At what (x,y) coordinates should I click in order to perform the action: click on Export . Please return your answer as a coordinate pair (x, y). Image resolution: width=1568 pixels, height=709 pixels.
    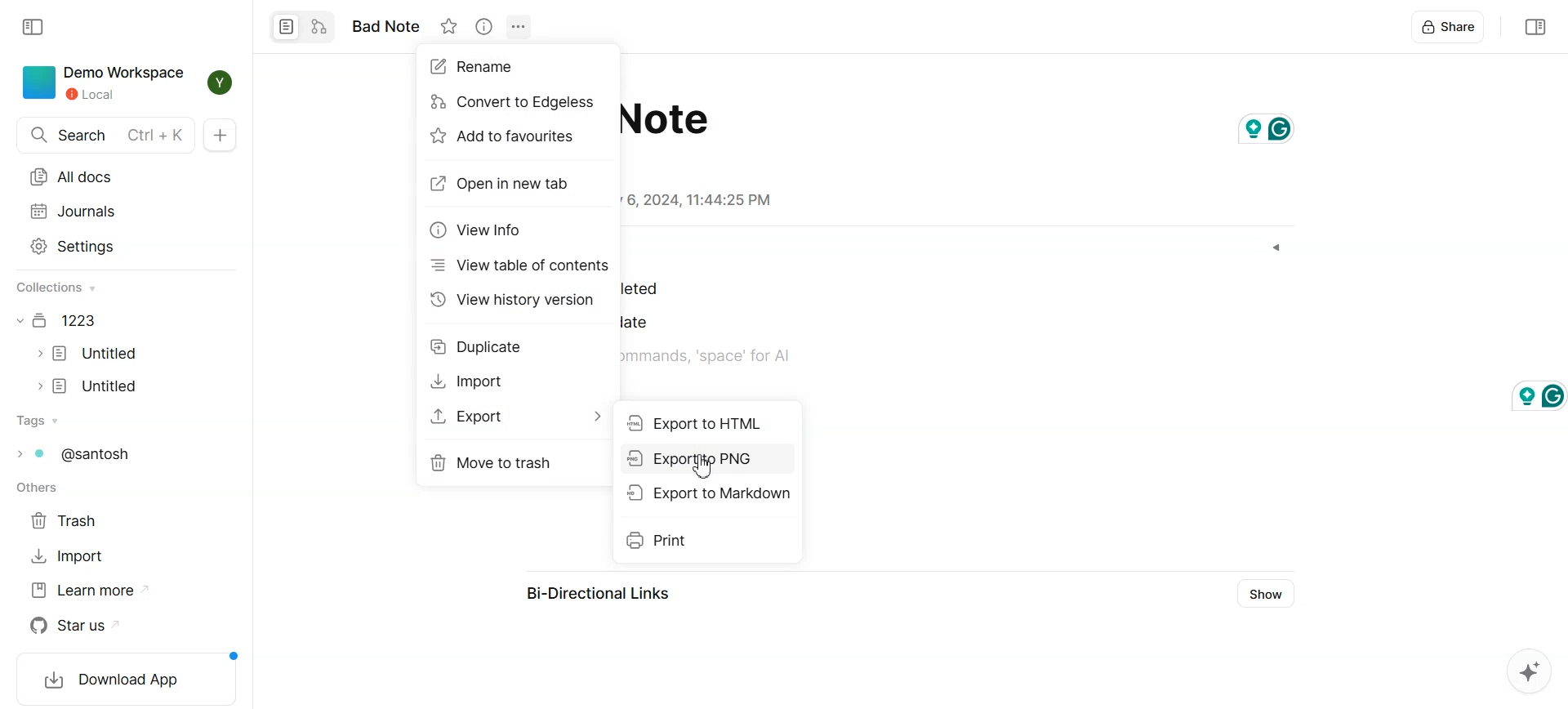
    Looking at the image, I should click on (518, 416).